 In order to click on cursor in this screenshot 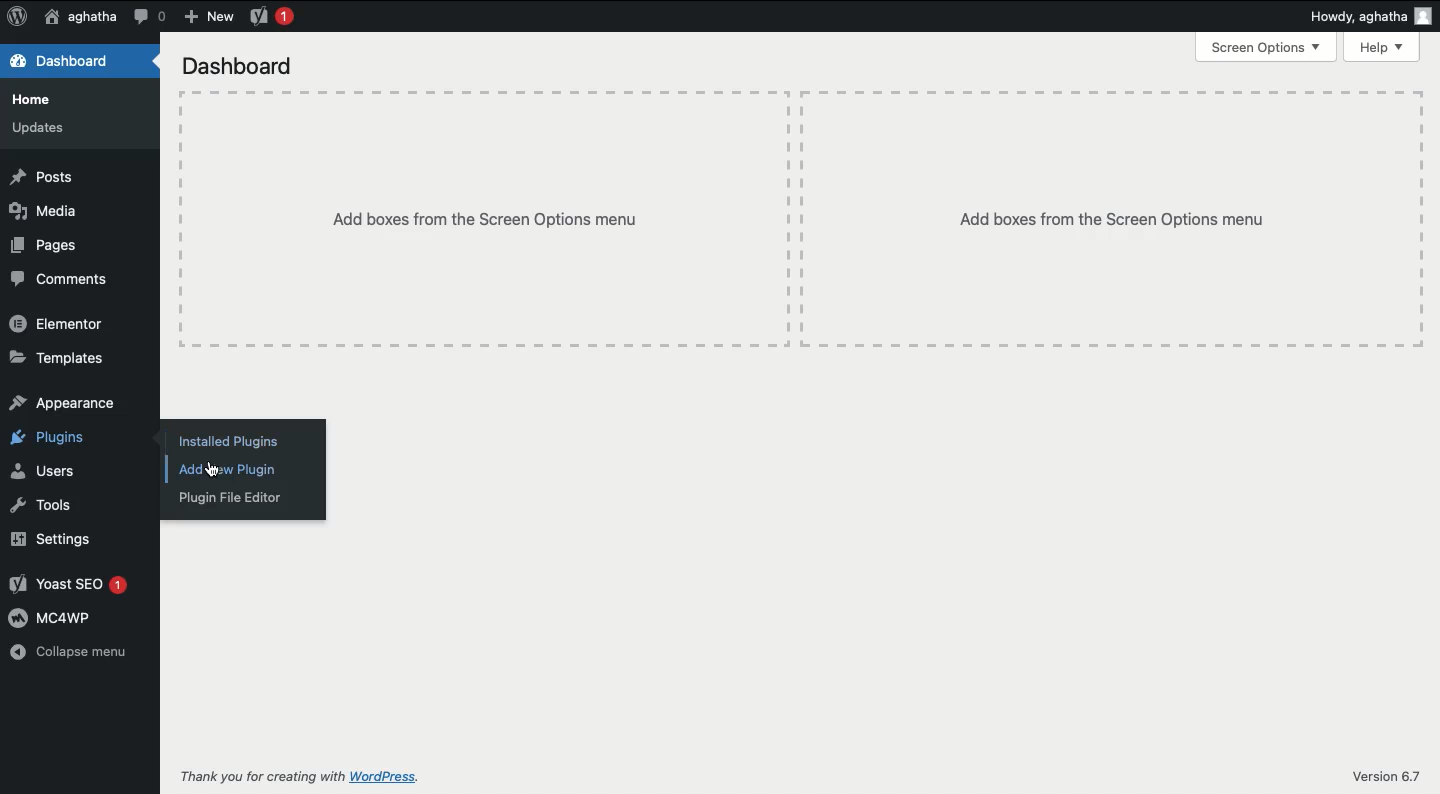, I will do `click(219, 472)`.